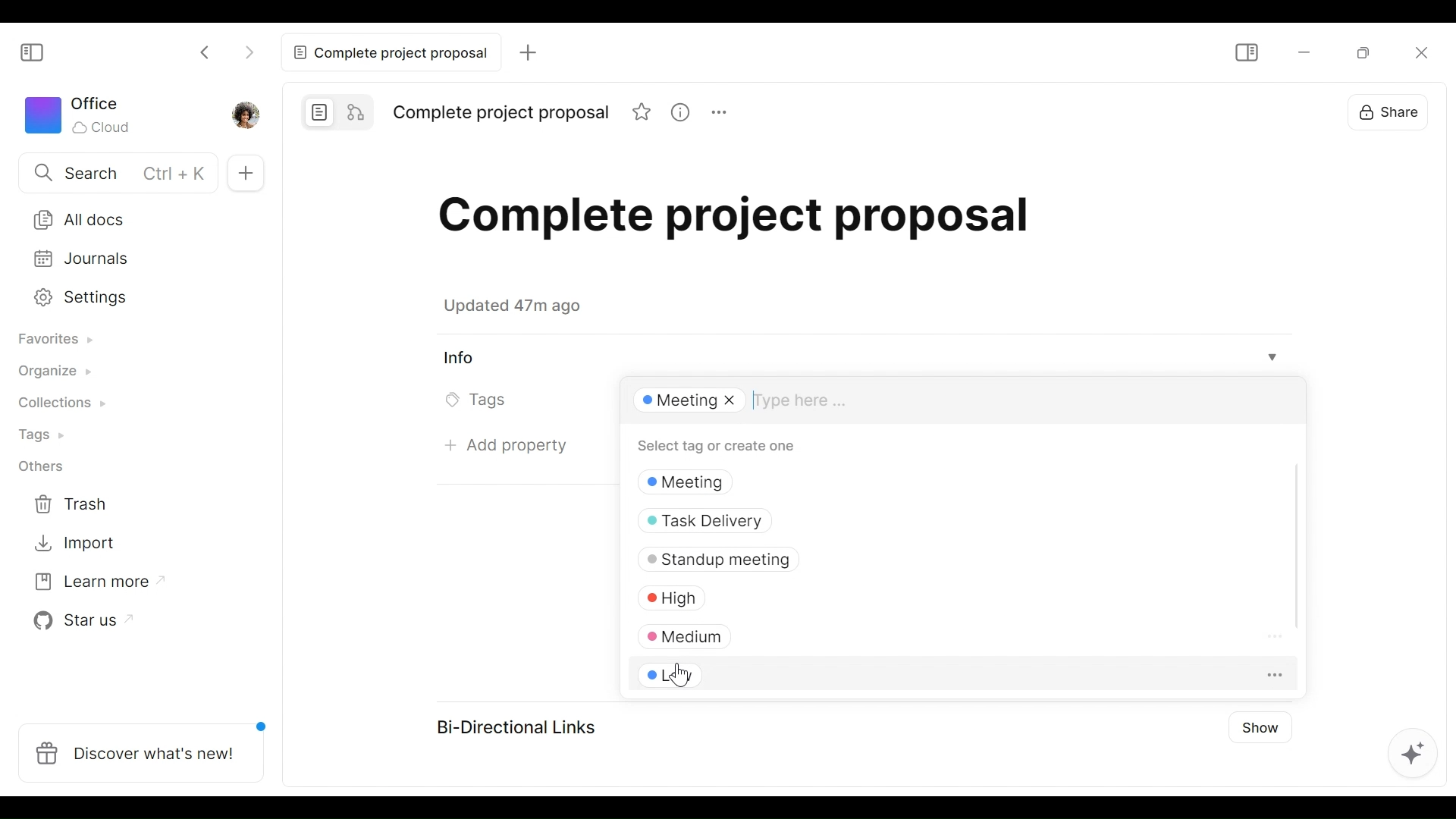 Image resolution: width=1456 pixels, height=819 pixels. What do you see at coordinates (61, 339) in the screenshot?
I see `Favorites` at bounding box center [61, 339].